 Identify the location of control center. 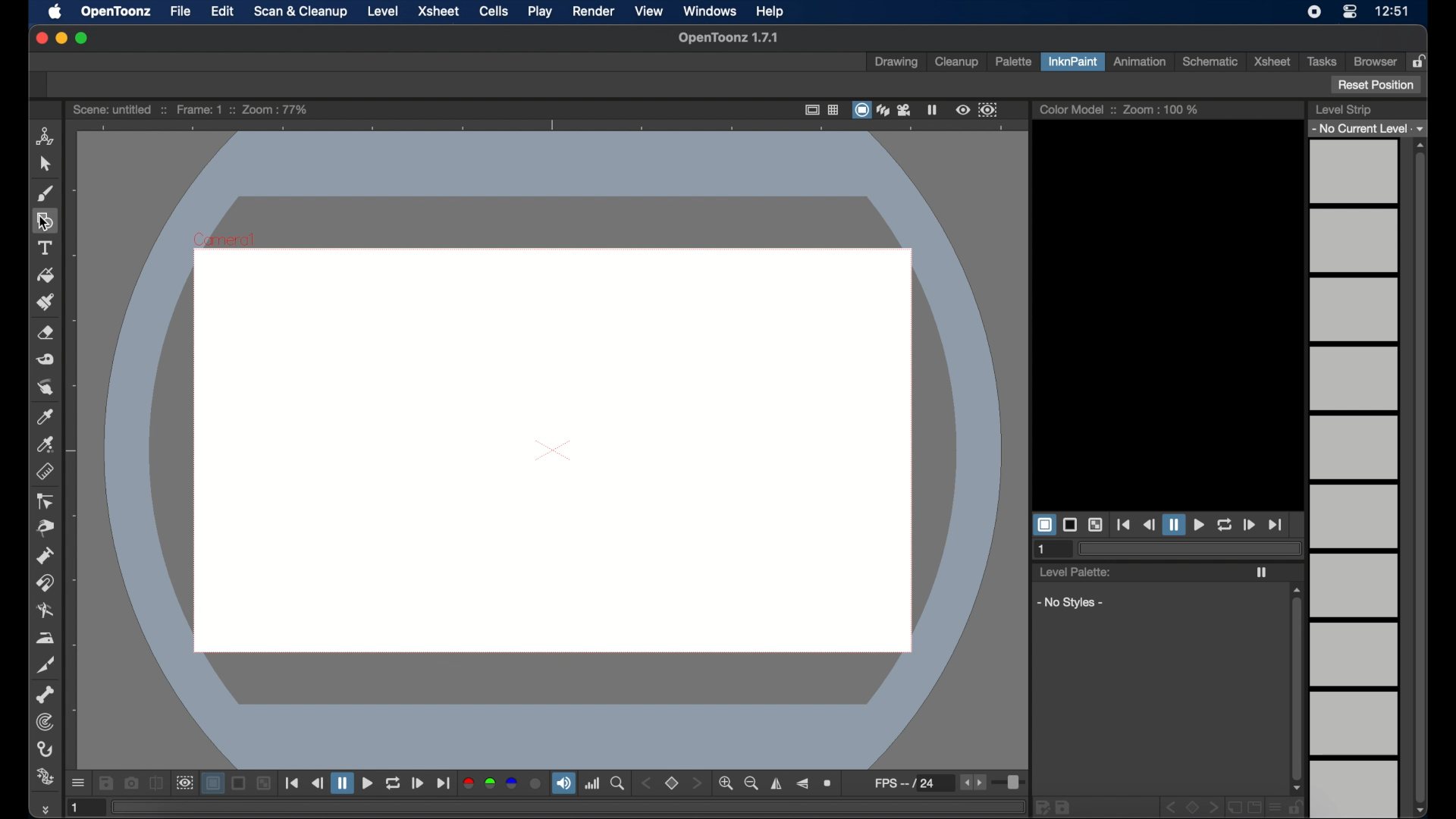
(1350, 12).